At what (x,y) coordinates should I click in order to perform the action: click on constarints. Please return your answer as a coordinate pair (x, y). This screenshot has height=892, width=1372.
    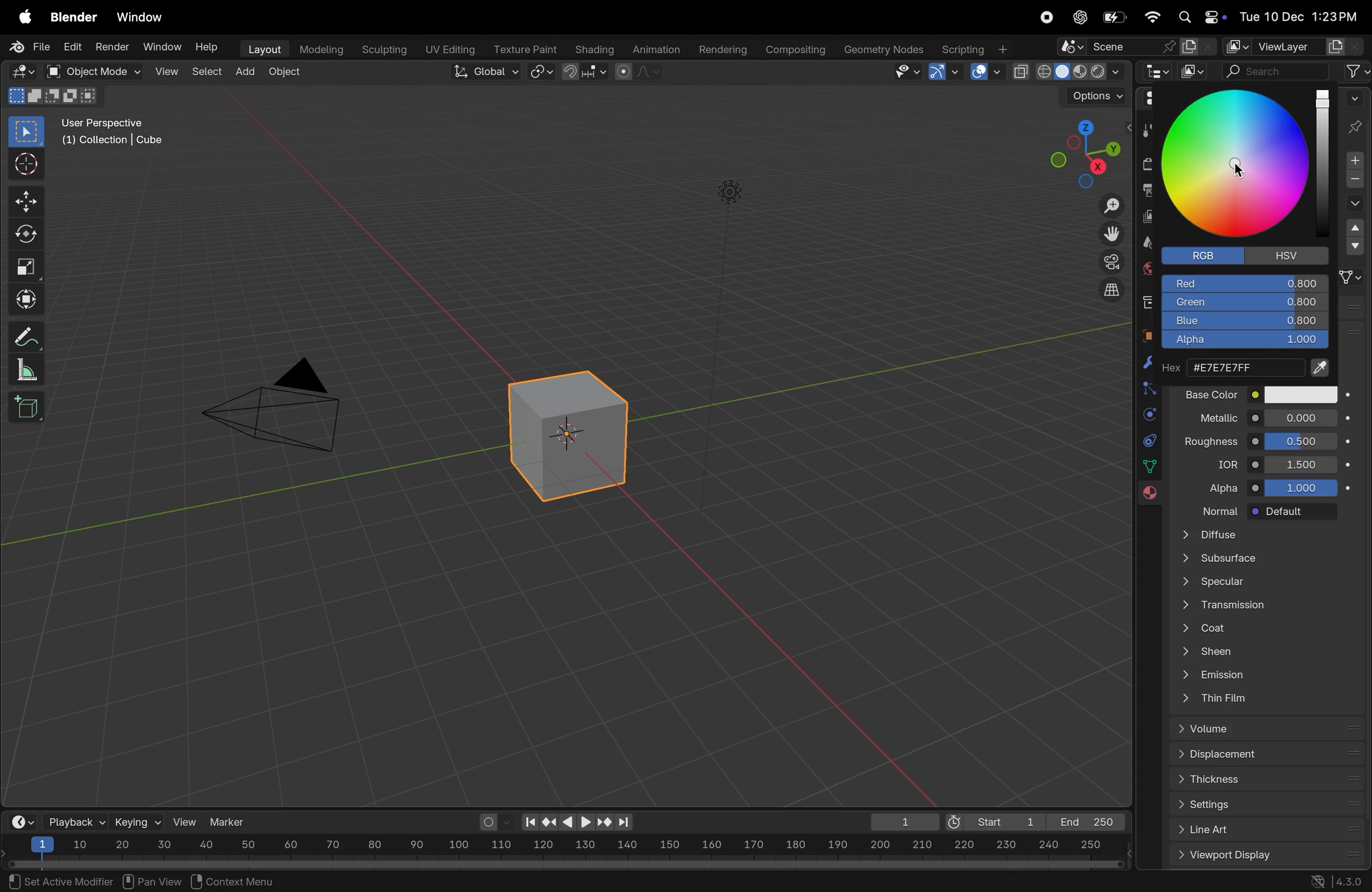
    Looking at the image, I should click on (1149, 443).